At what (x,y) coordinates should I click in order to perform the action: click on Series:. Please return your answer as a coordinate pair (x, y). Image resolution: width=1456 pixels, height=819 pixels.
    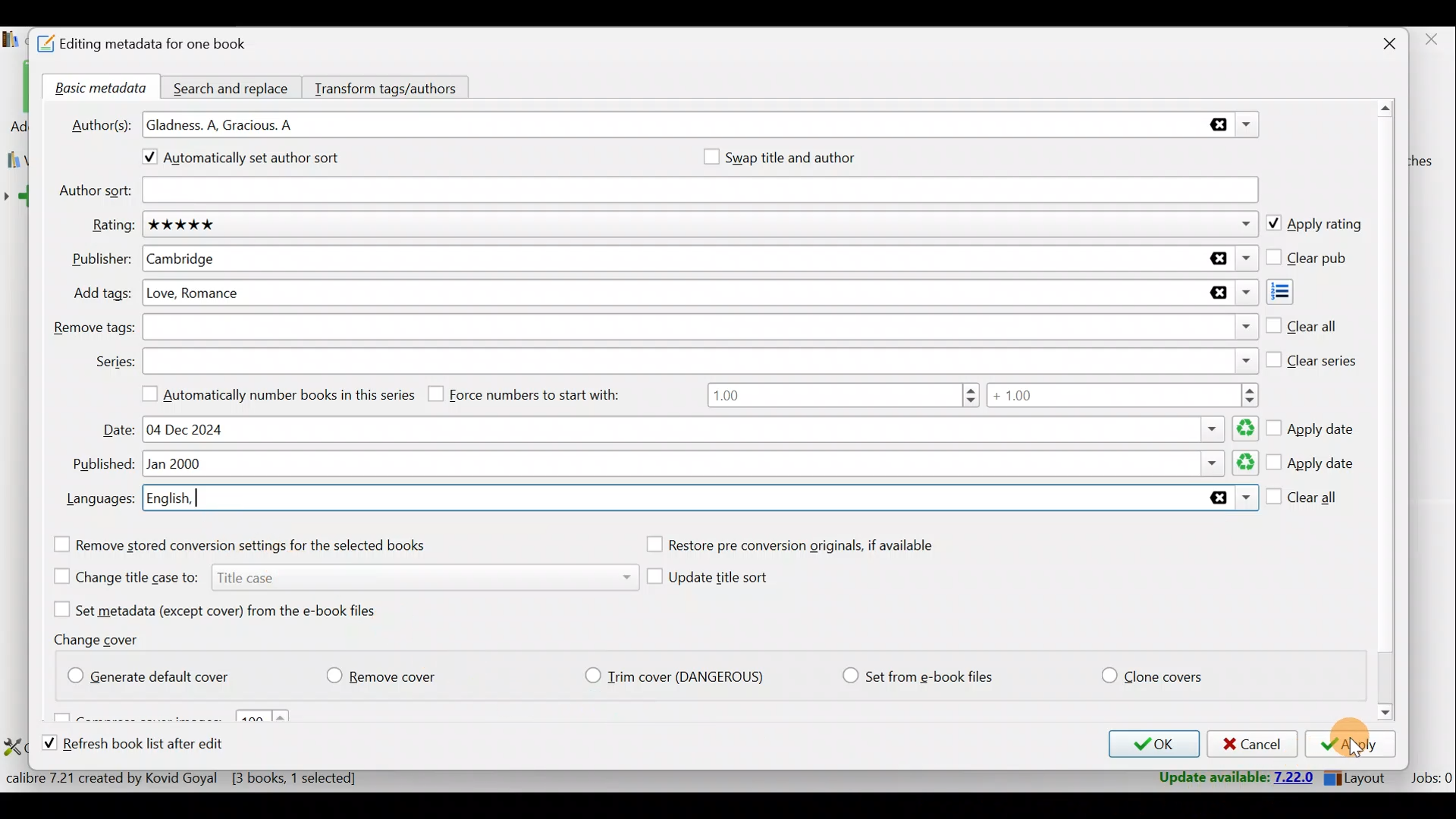
    Looking at the image, I should click on (114, 362).